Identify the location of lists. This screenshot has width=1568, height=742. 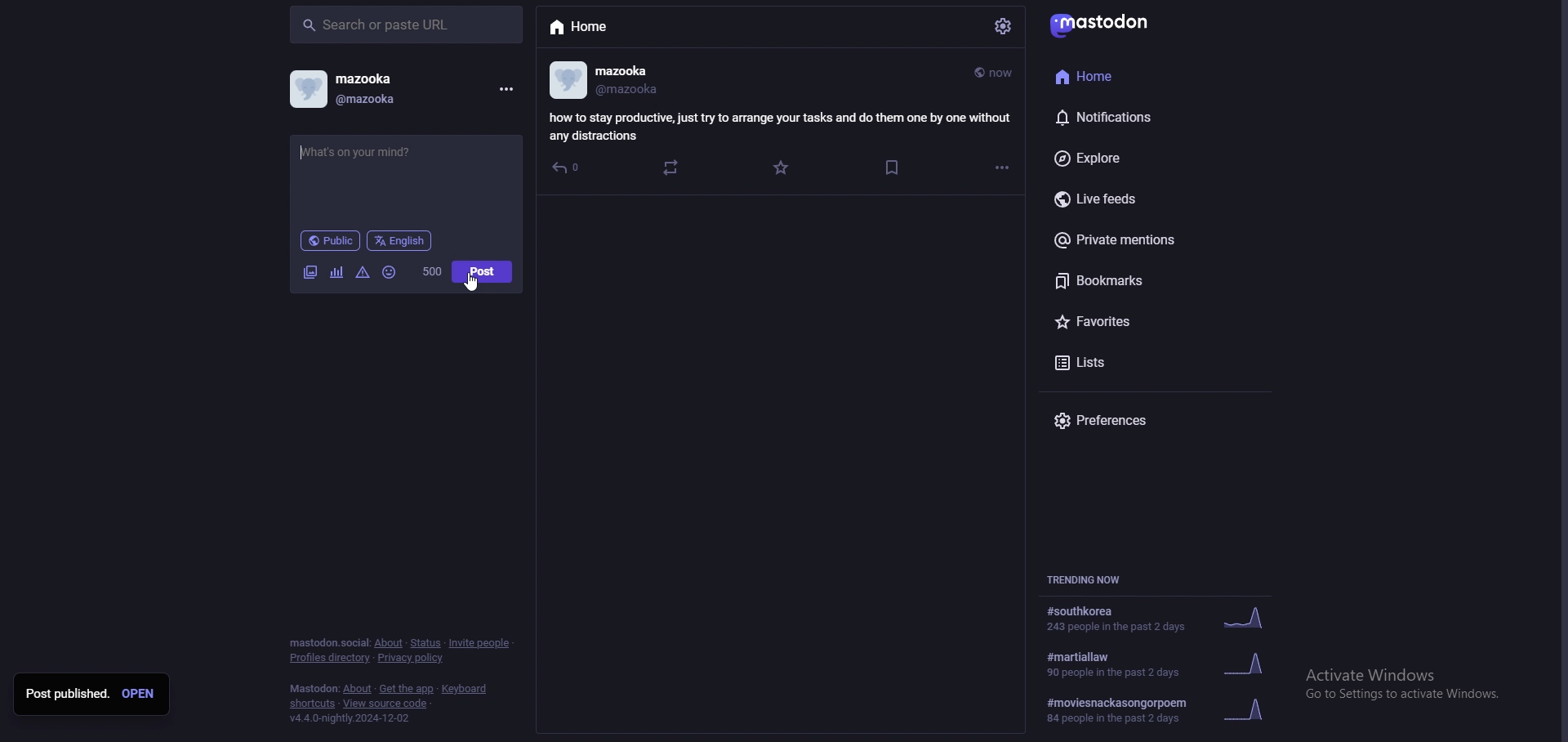
(1135, 364).